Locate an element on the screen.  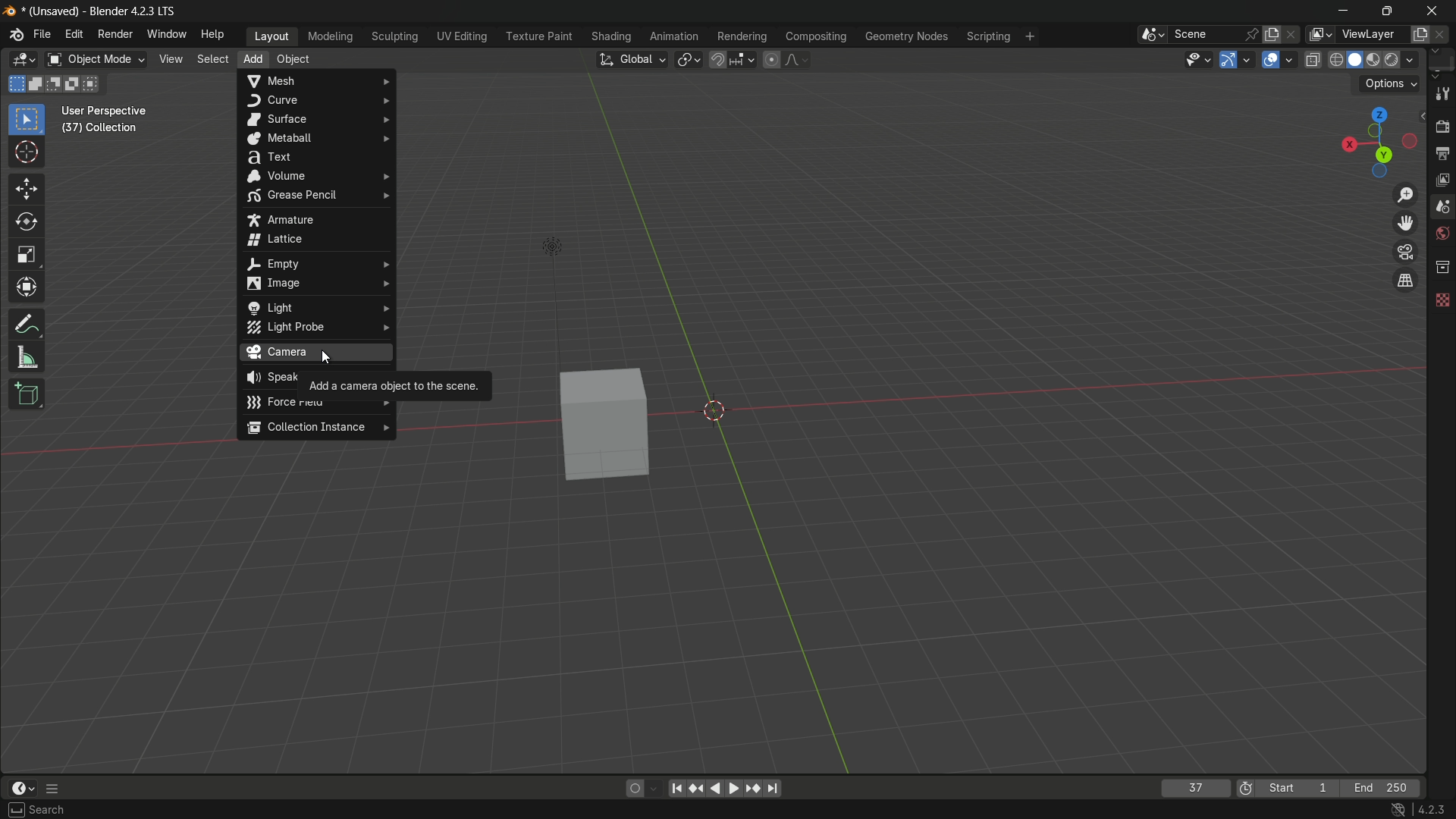
text is located at coordinates (315, 158).